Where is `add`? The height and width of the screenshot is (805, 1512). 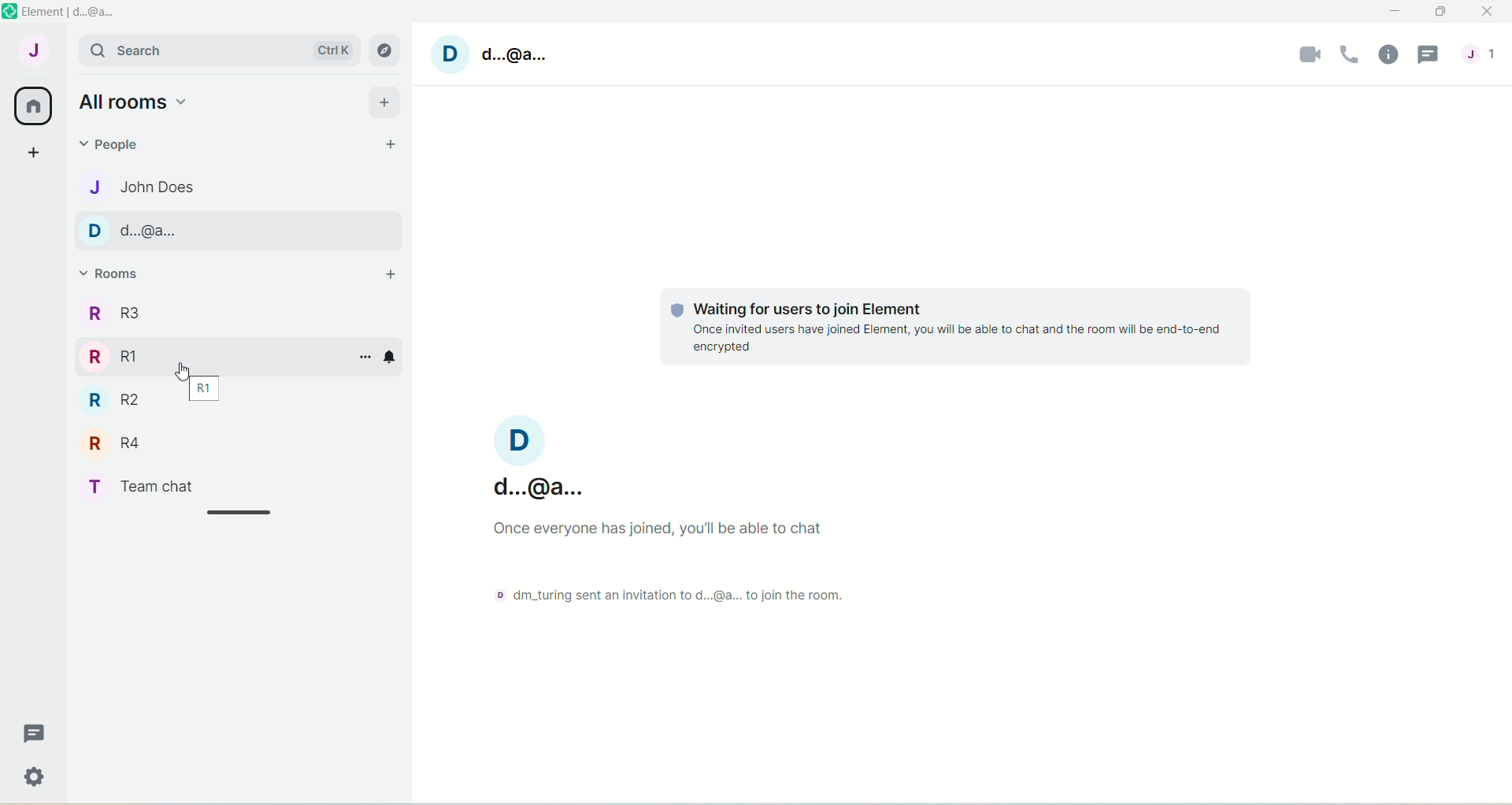 add is located at coordinates (384, 99).